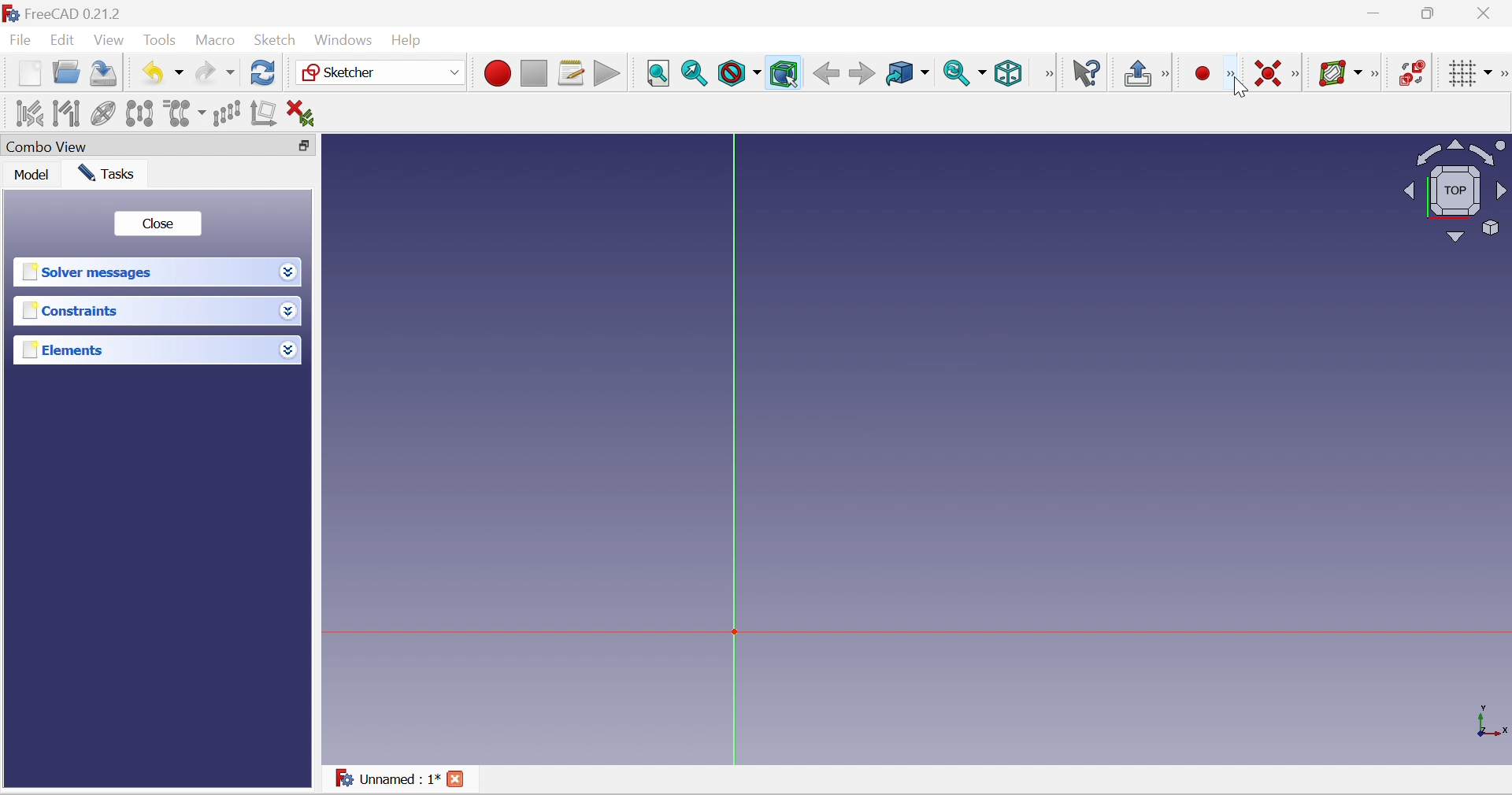 The height and width of the screenshot is (795, 1512). What do you see at coordinates (410, 41) in the screenshot?
I see `Help` at bounding box center [410, 41].